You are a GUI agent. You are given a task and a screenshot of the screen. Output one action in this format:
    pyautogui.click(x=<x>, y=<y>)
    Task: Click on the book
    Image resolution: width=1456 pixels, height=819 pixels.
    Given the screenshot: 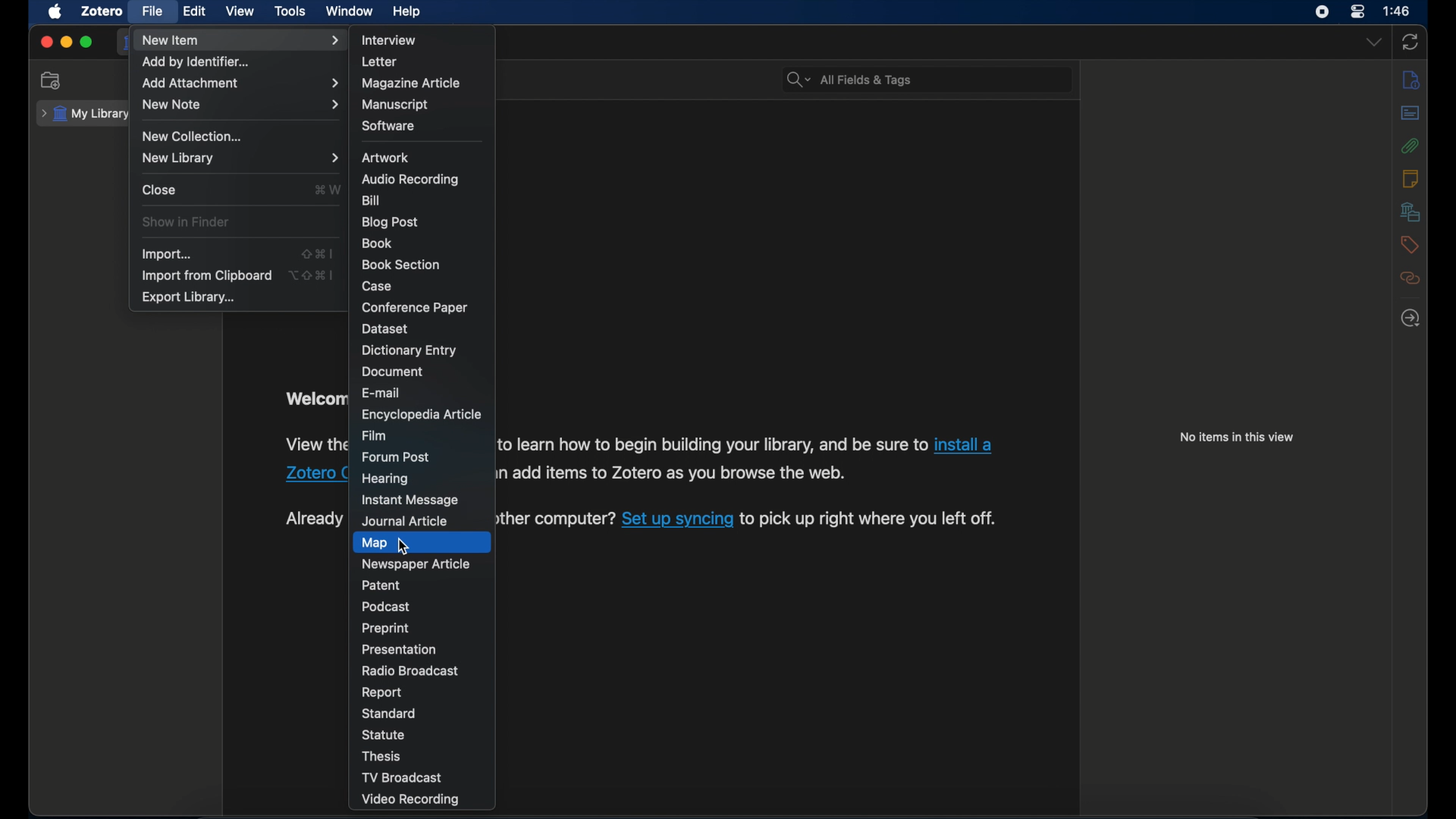 What is the action you would take?
    pyautogui.click(x=376, y=243)
    